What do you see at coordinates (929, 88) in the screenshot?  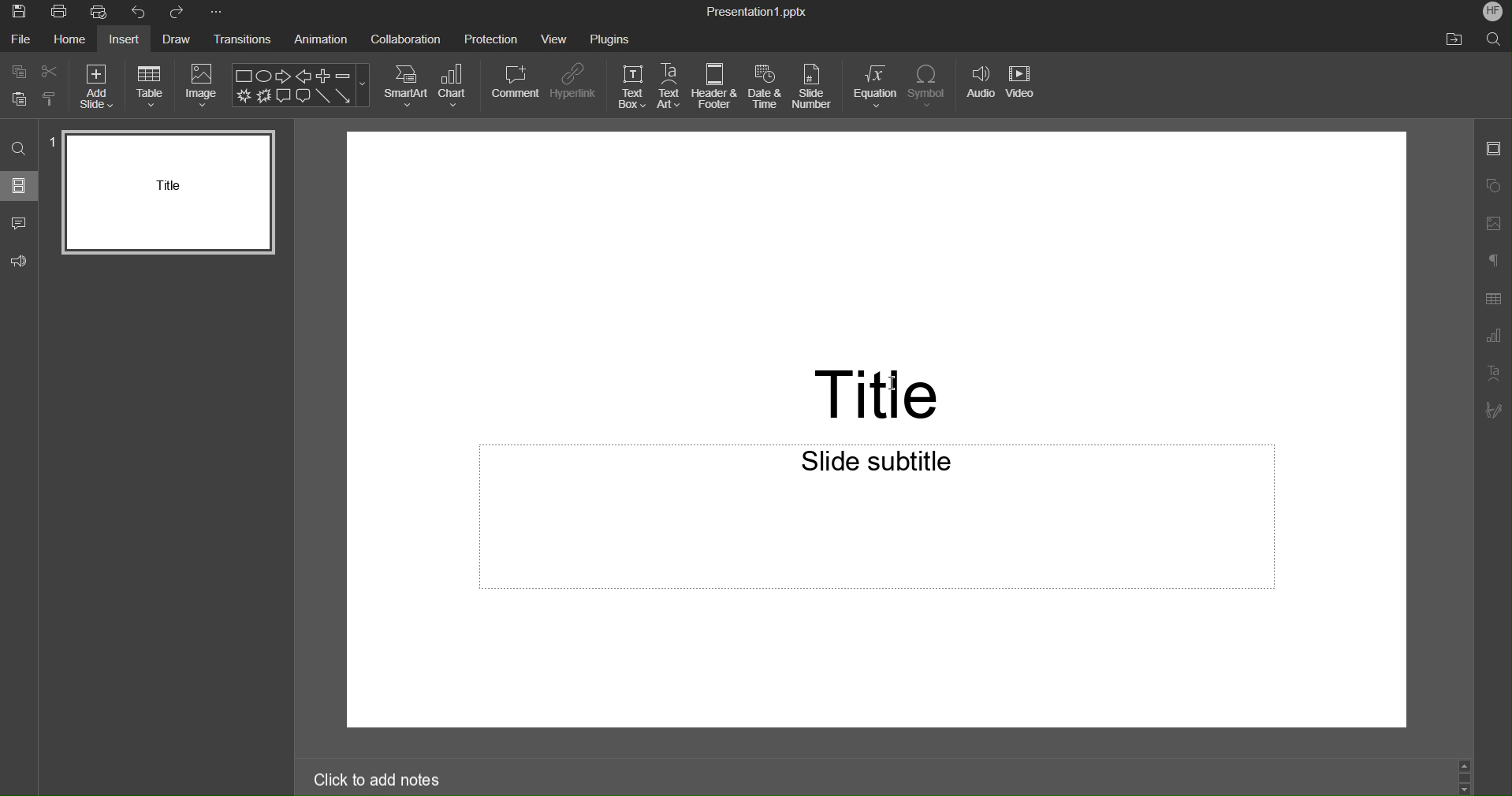 I see `Symbol` at bounding box center [929, 88].